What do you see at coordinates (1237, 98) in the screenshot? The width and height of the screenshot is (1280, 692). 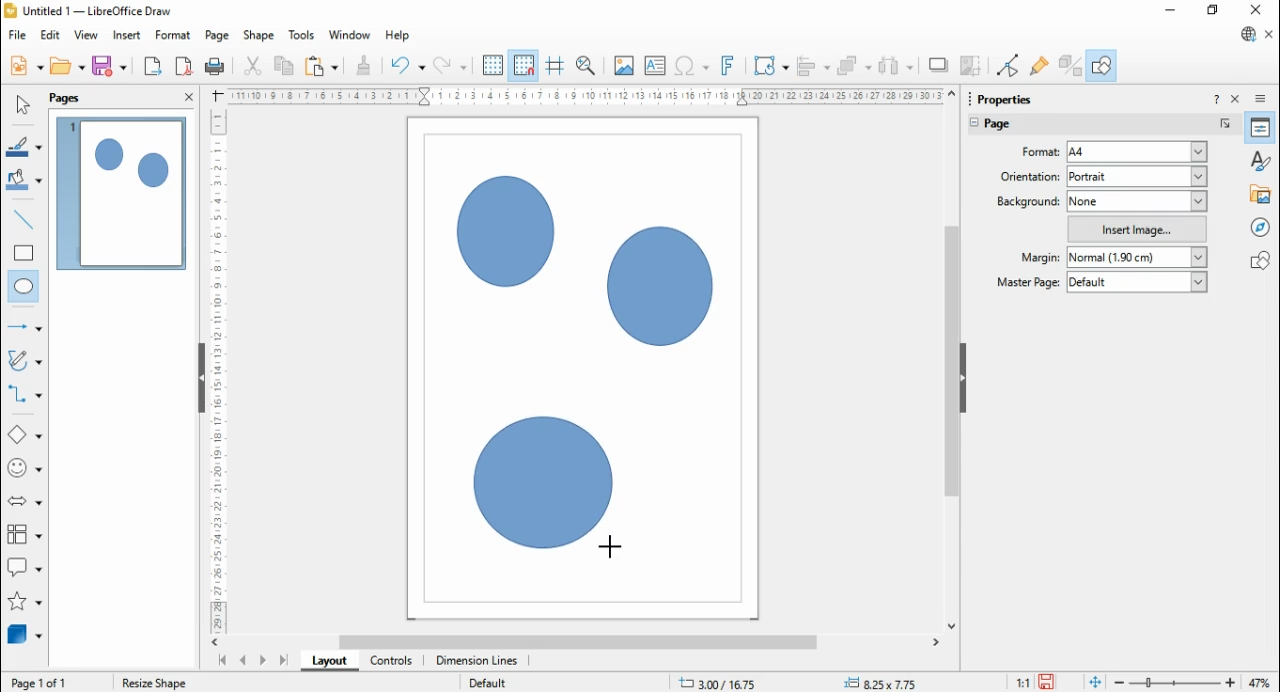 I see `close sidebar deck` at bounding box center [1237, 98].